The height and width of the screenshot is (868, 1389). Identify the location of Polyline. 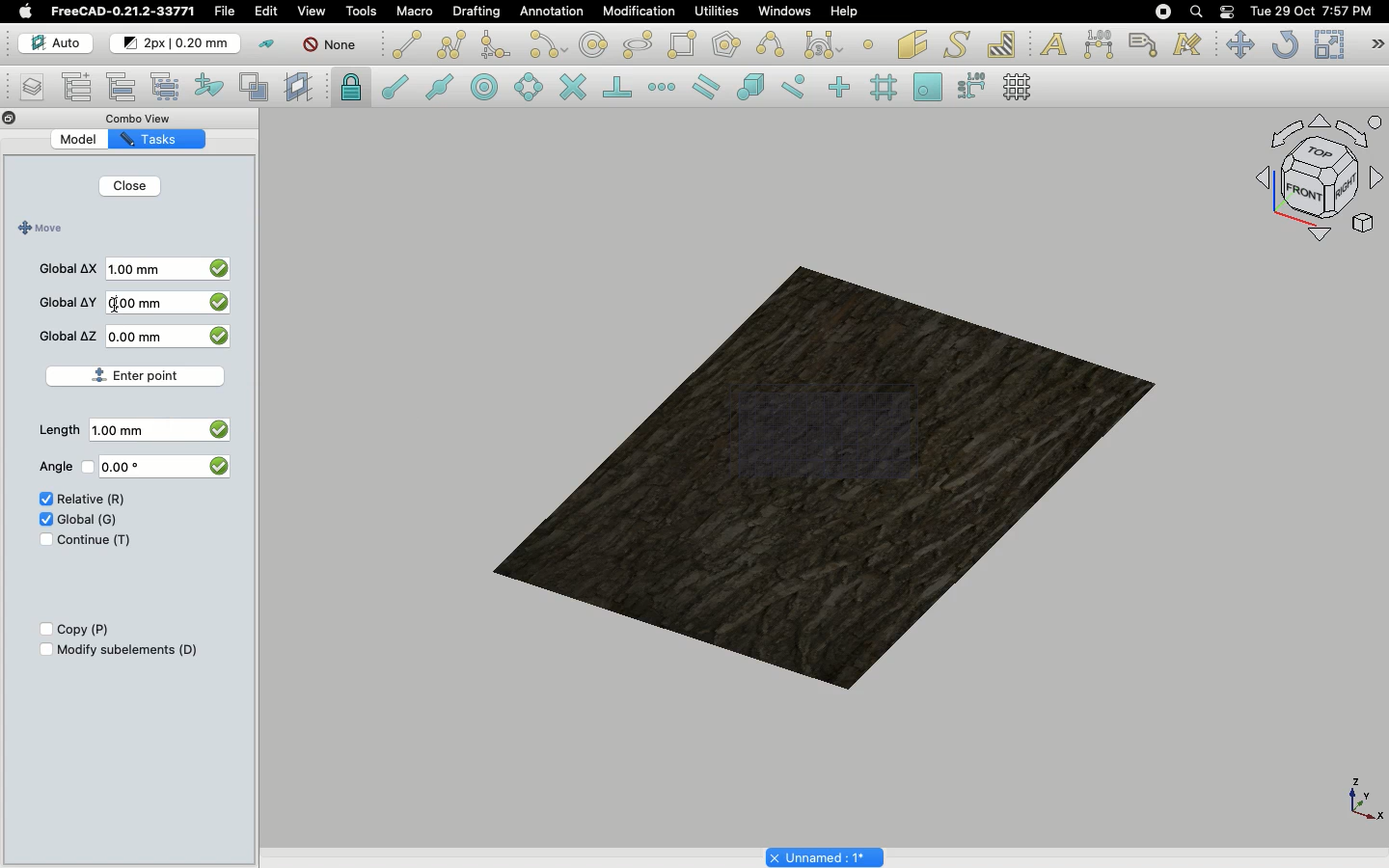
(451, 44).